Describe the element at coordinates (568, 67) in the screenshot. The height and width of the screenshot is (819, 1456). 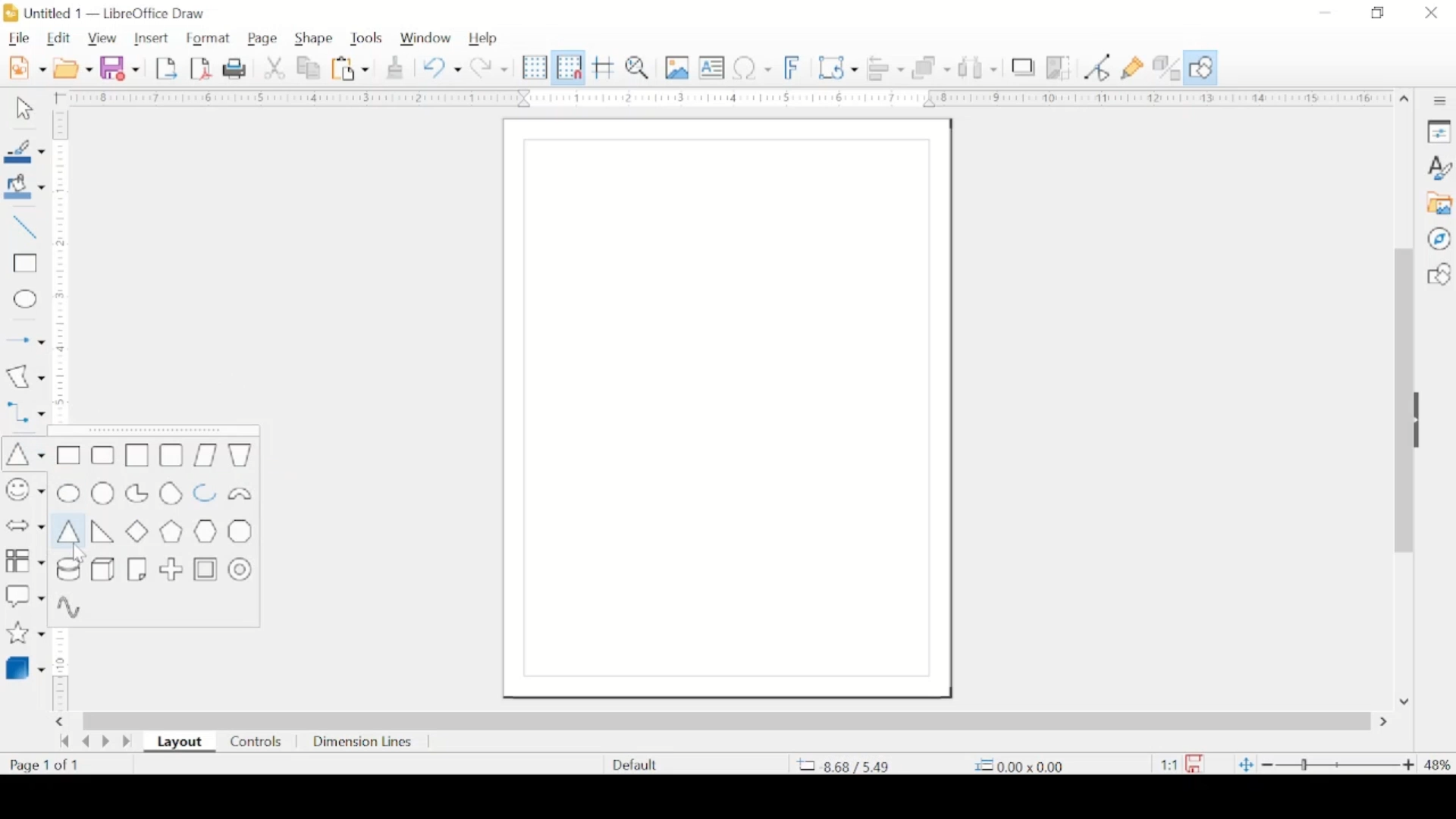
I see `snap to grid` at that location.